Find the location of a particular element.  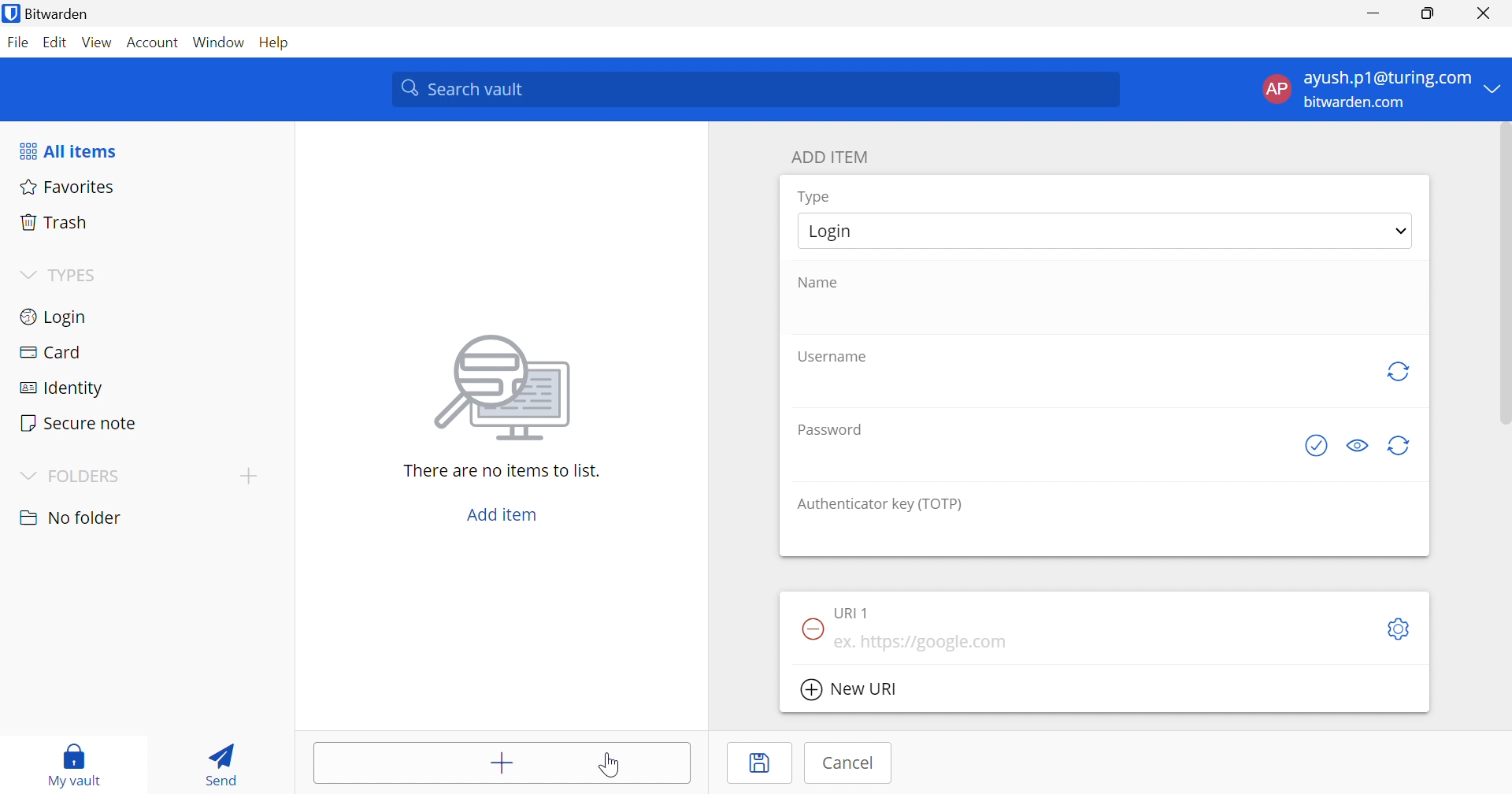

Remove is located at coordinates (810, 627).